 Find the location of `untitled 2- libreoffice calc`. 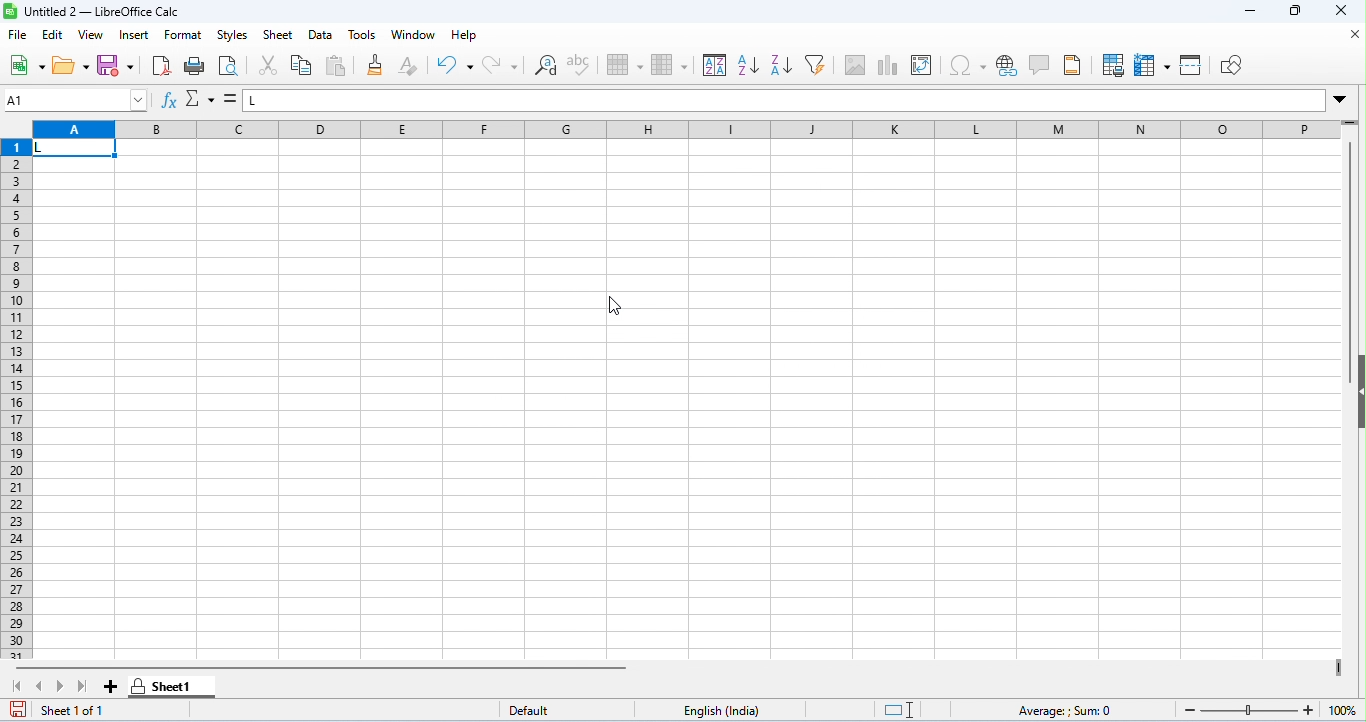

untitled 2- libreoffice calc is located at coordinates (94, 11).